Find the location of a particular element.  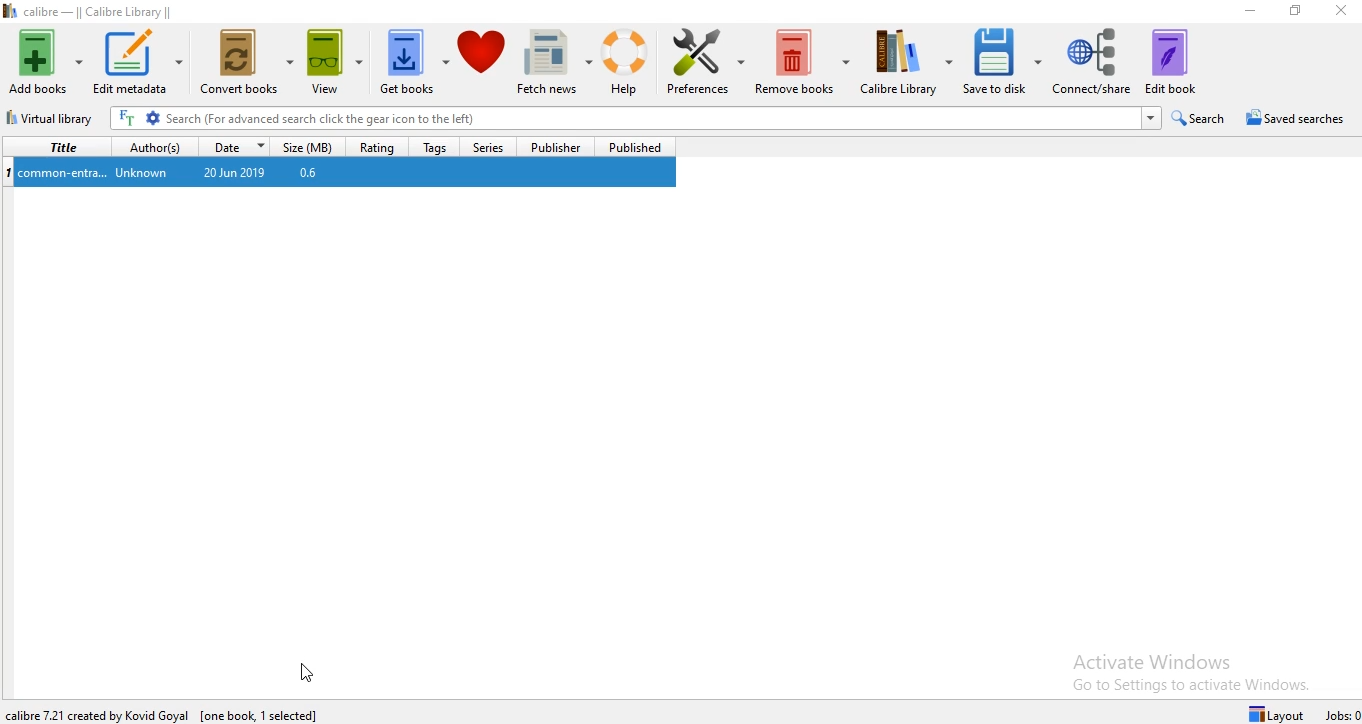

Remove books is located at coordinates (803, 63).